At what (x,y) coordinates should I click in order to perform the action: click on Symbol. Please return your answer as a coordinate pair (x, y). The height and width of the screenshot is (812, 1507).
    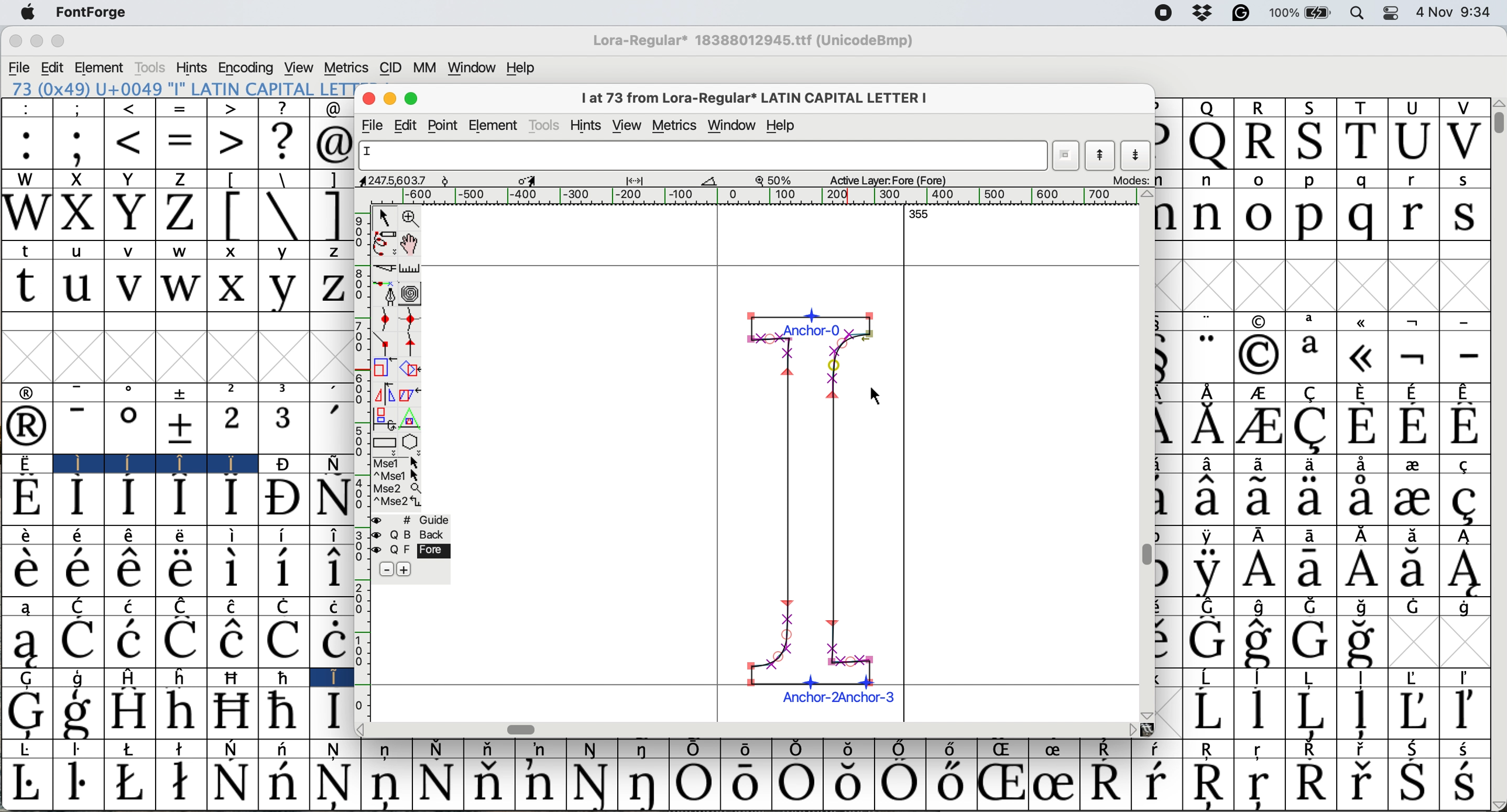
    Looking at the image, I should click on (181, 785).